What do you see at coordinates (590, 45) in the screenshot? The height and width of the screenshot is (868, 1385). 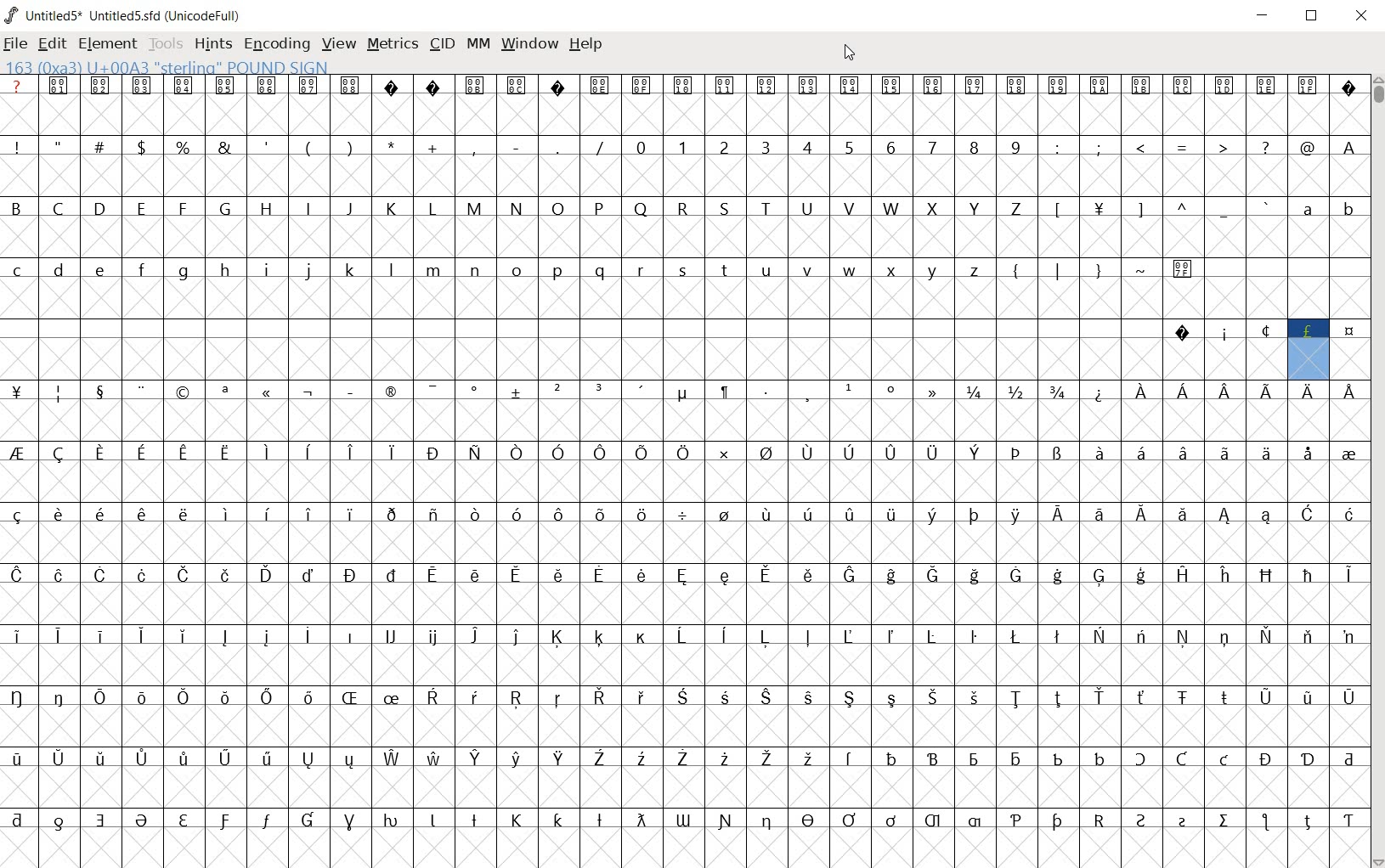 I see `HELP` at bounding box center [590, 45].